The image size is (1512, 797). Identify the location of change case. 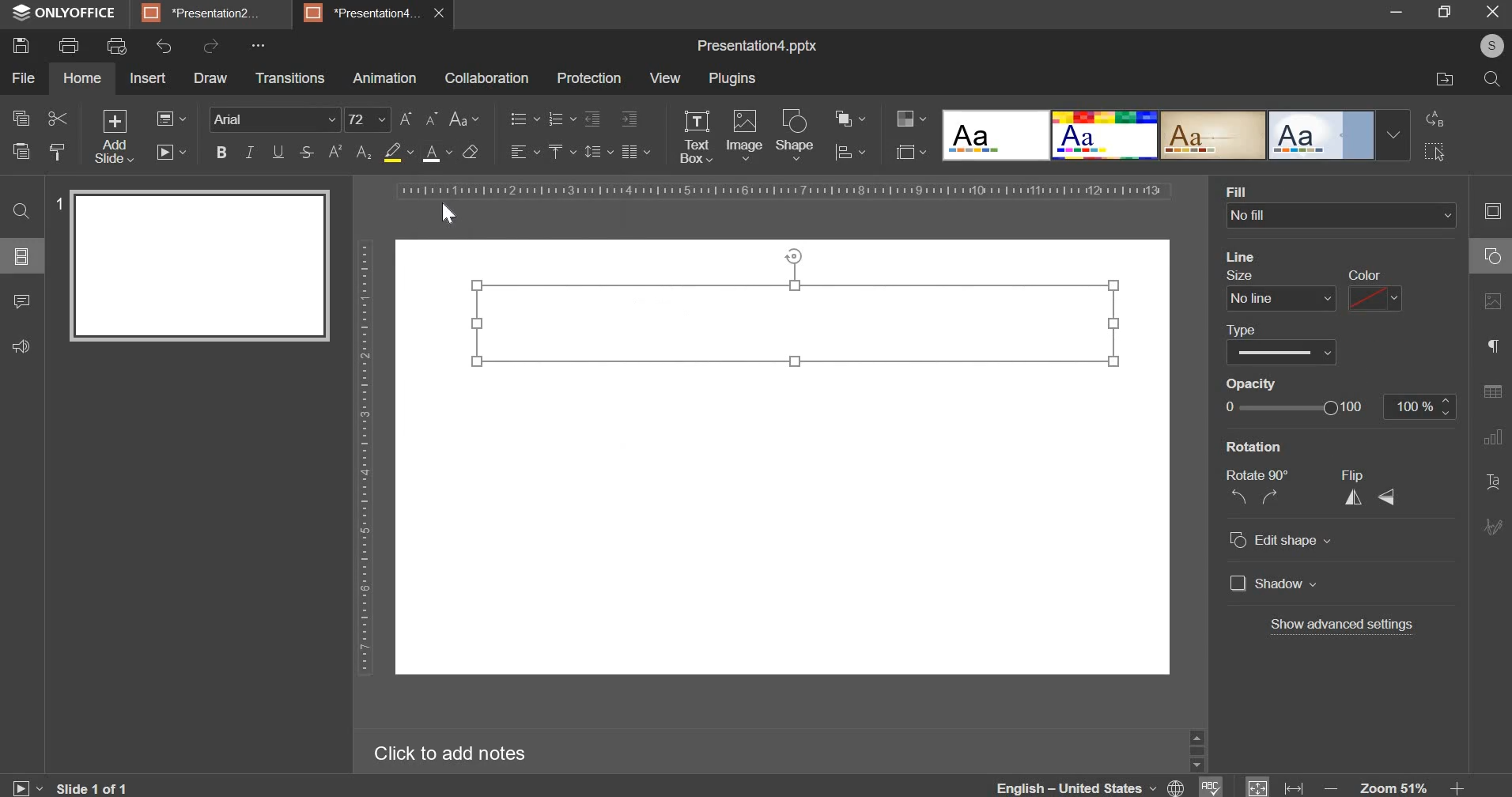
(465, 119).